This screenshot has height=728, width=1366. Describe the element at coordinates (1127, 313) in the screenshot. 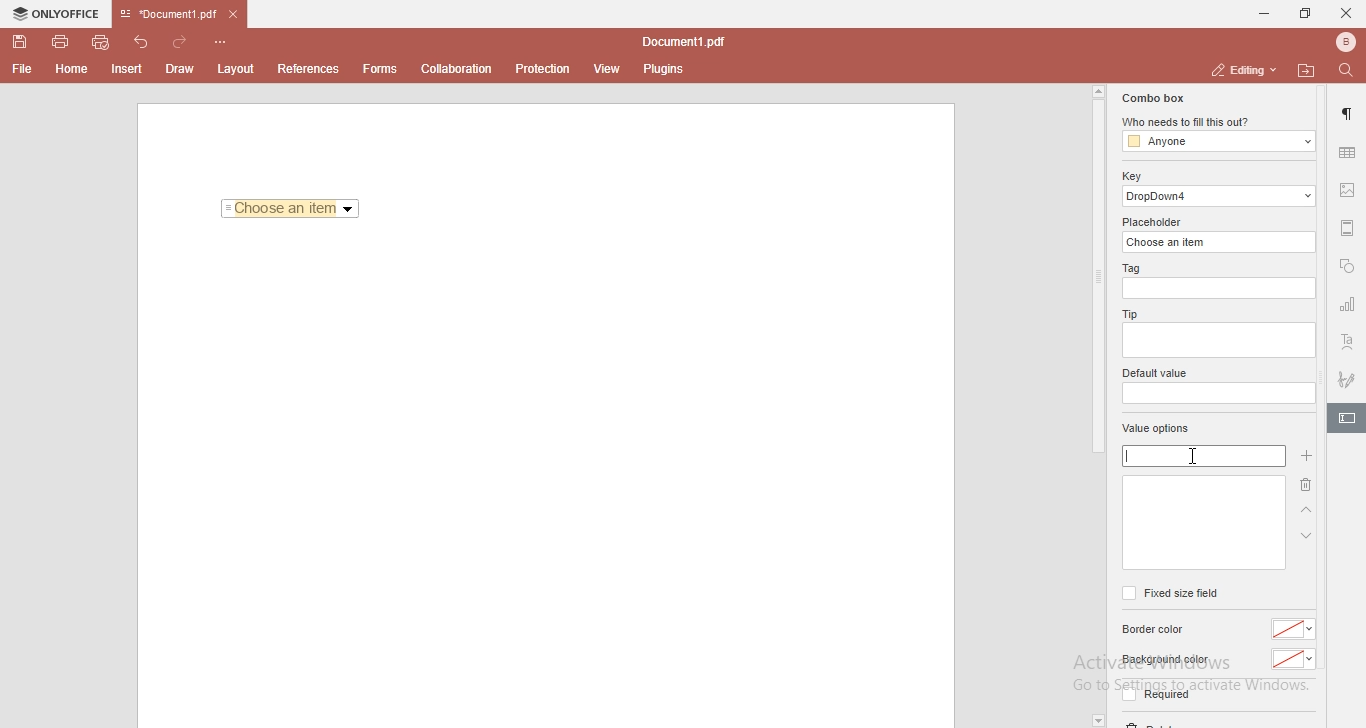

I see `tip` at that location.